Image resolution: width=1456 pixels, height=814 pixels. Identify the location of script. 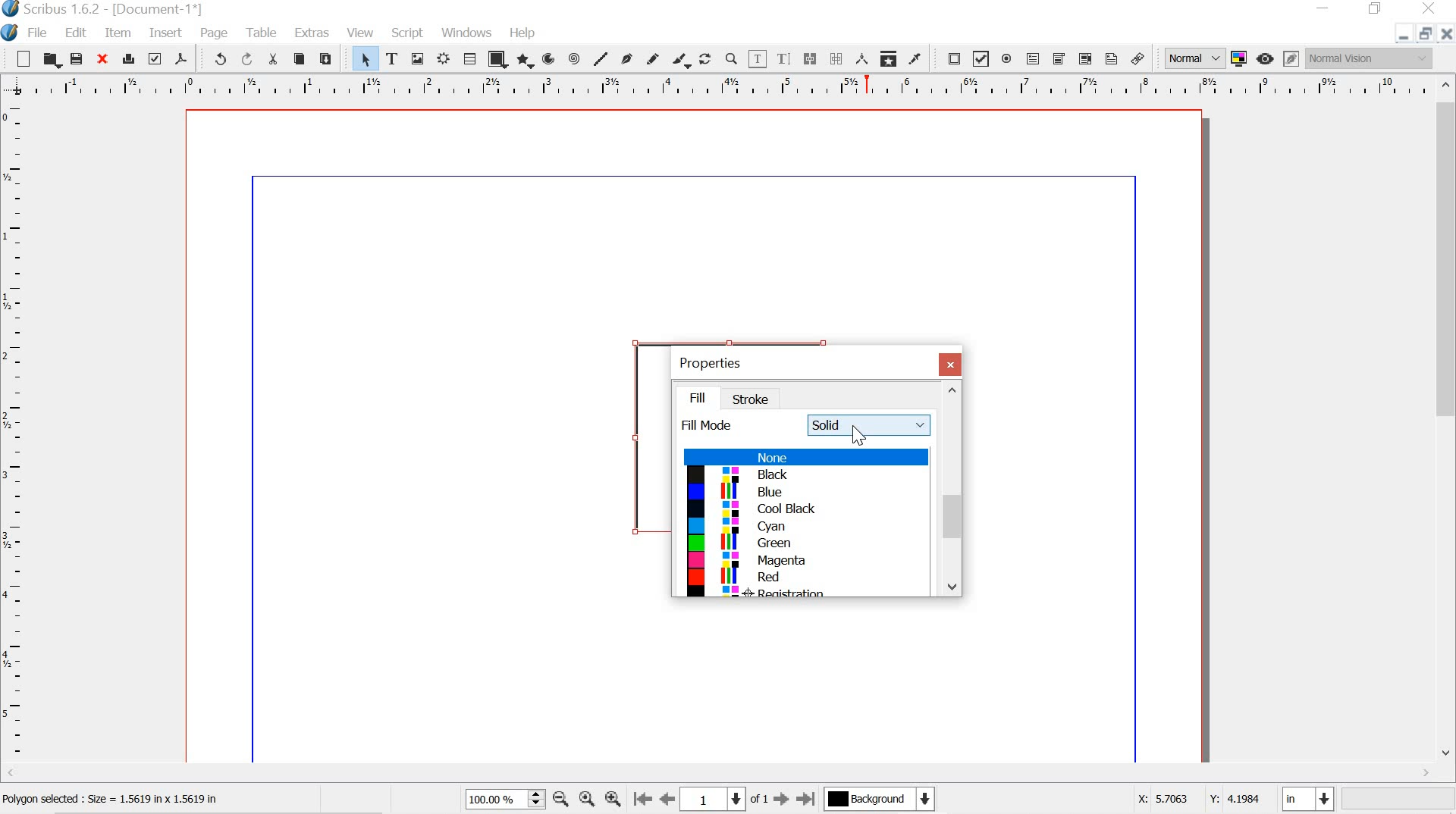
(408, 31).